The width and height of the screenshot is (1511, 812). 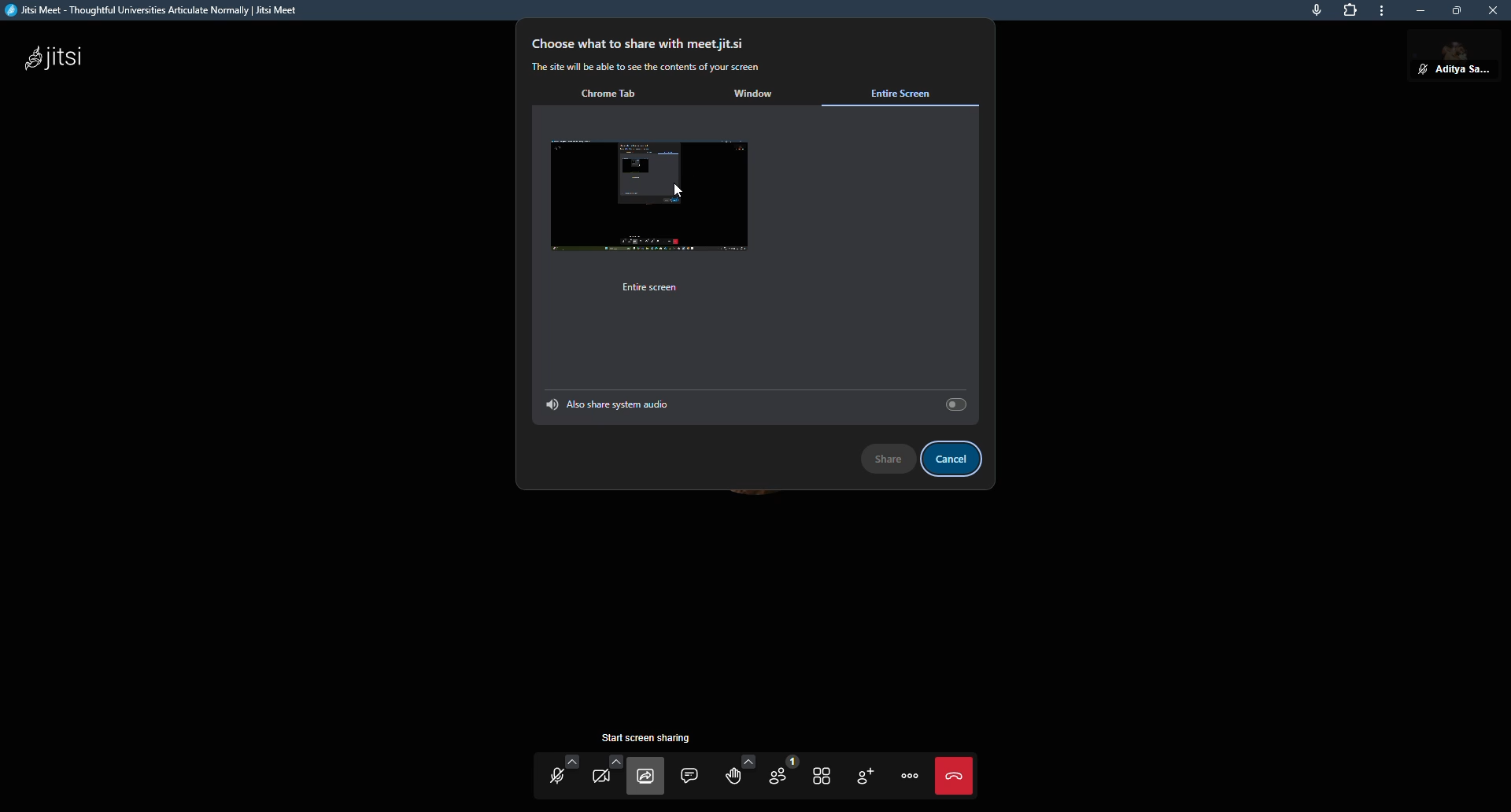 What do you see at coordinates (652, 738) in the screenshot?
I see `start screen sharing` at bounding box center [652, 738].